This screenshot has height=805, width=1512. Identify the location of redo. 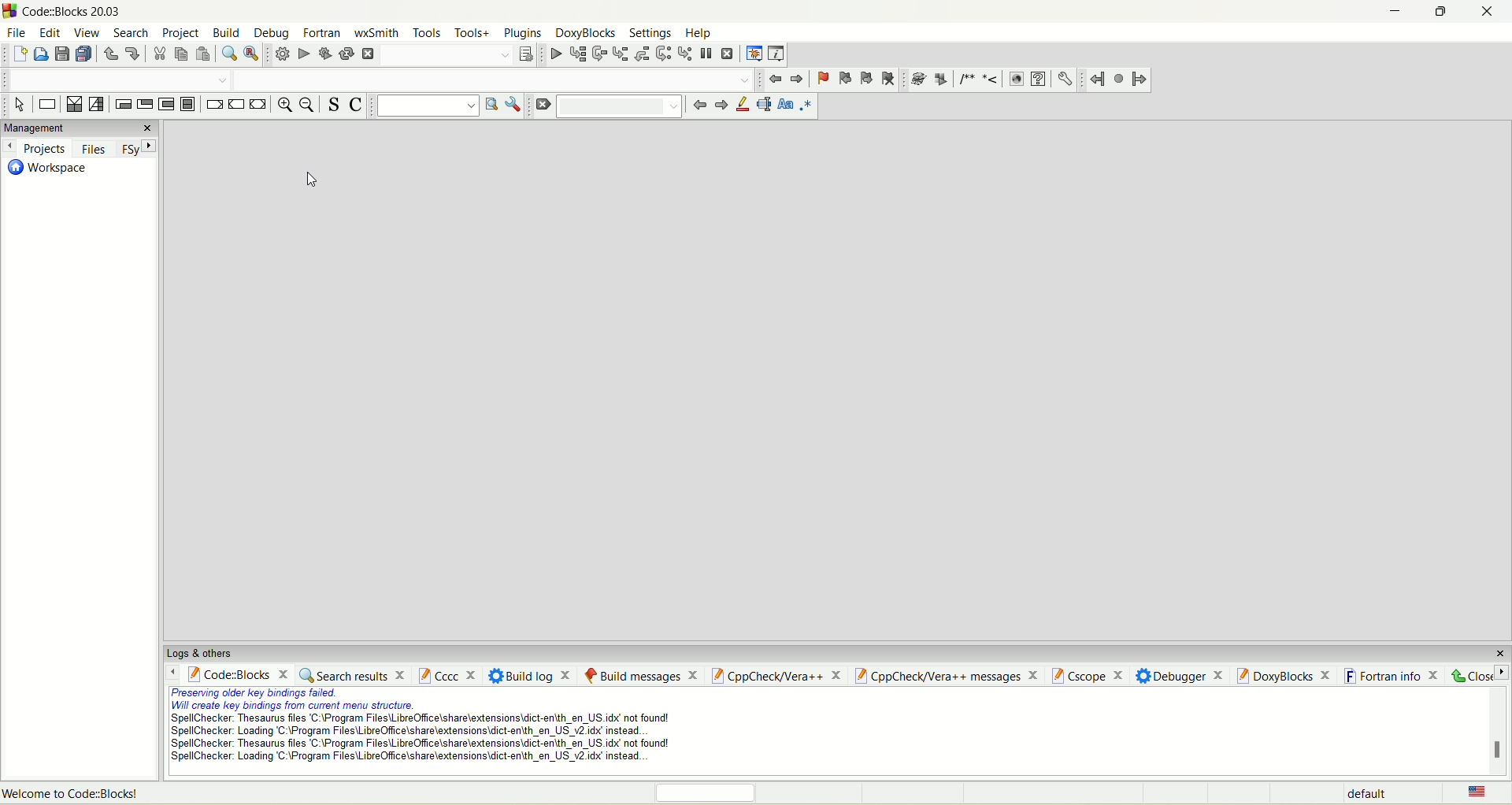
(132, 55).